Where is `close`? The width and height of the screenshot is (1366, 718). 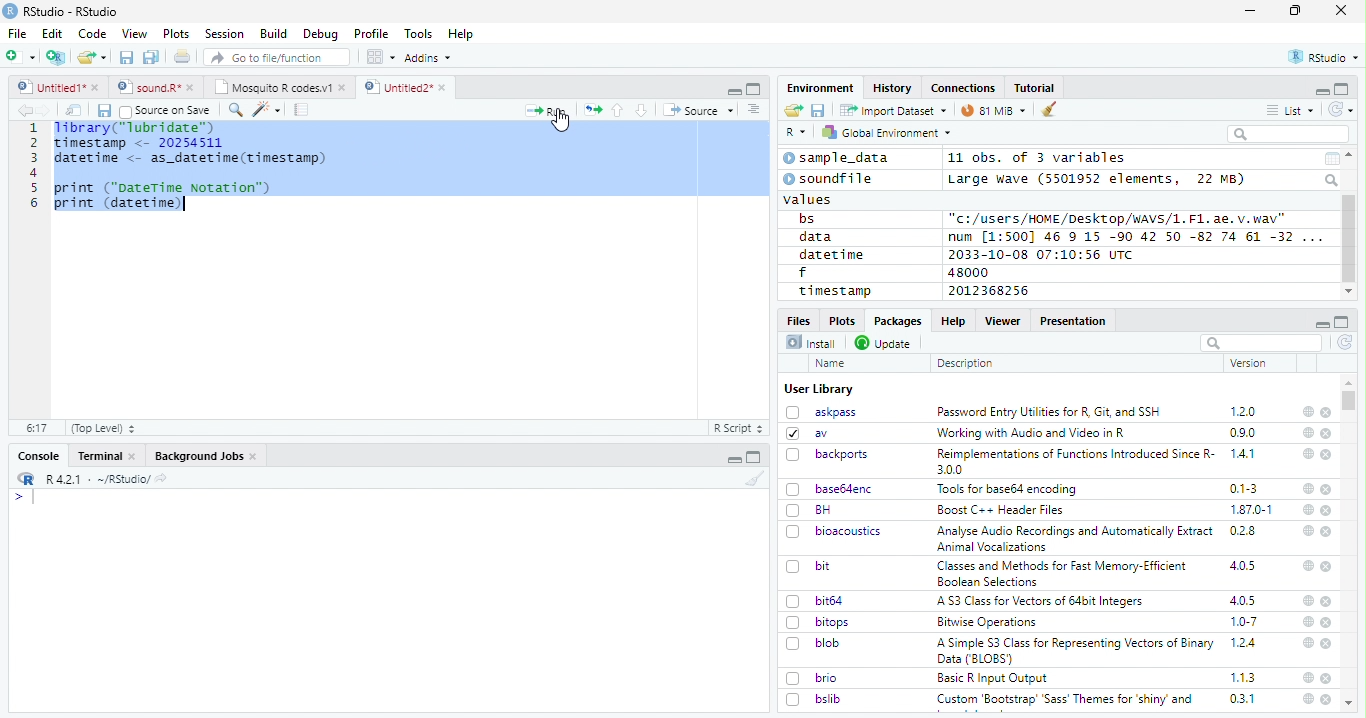 close is located at coordinates (1341, 9).